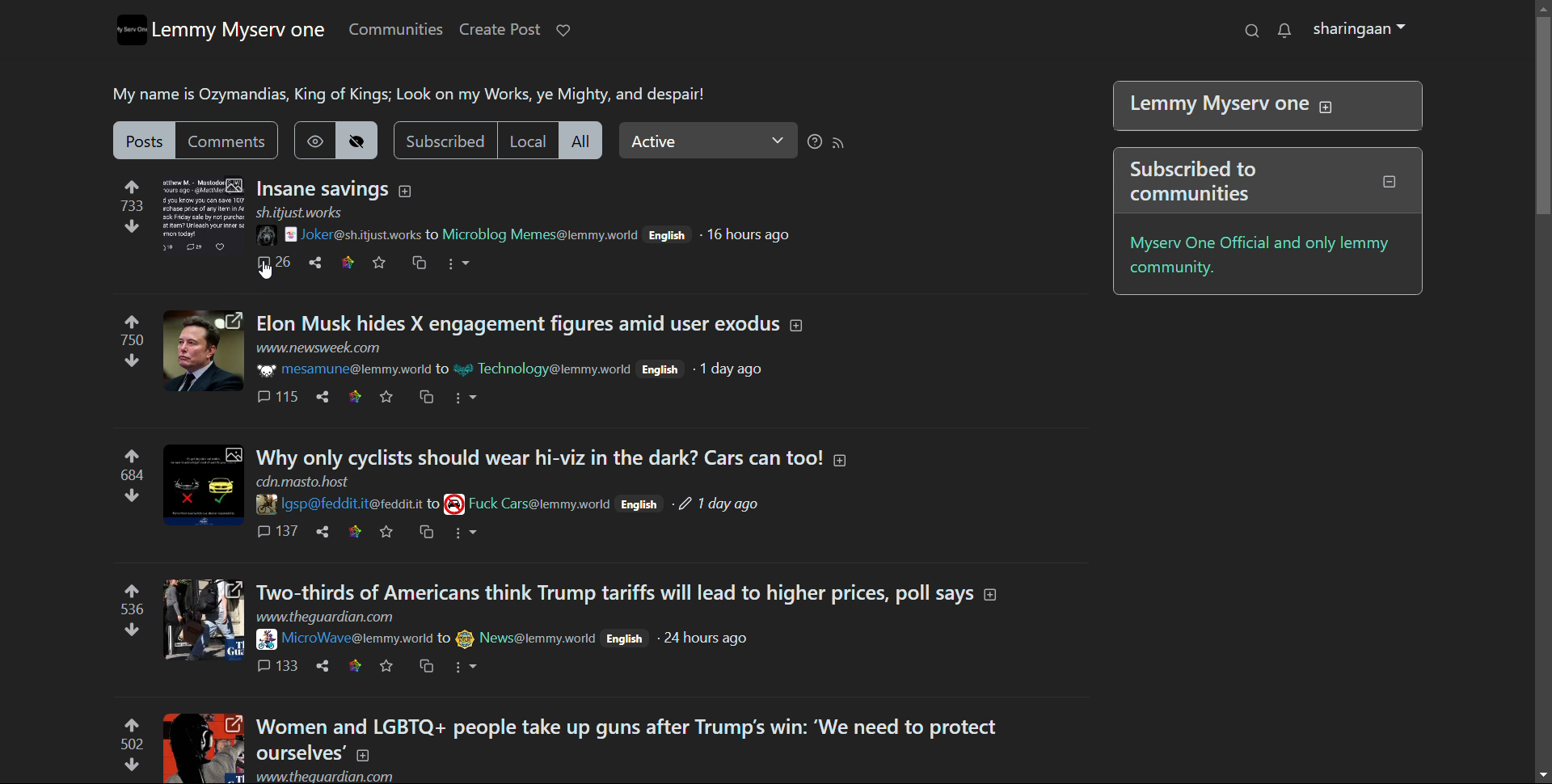 The image size is (1552, 784). Describe the element at coordinates (314, 263) in the screenshot. I see `share` at that location.